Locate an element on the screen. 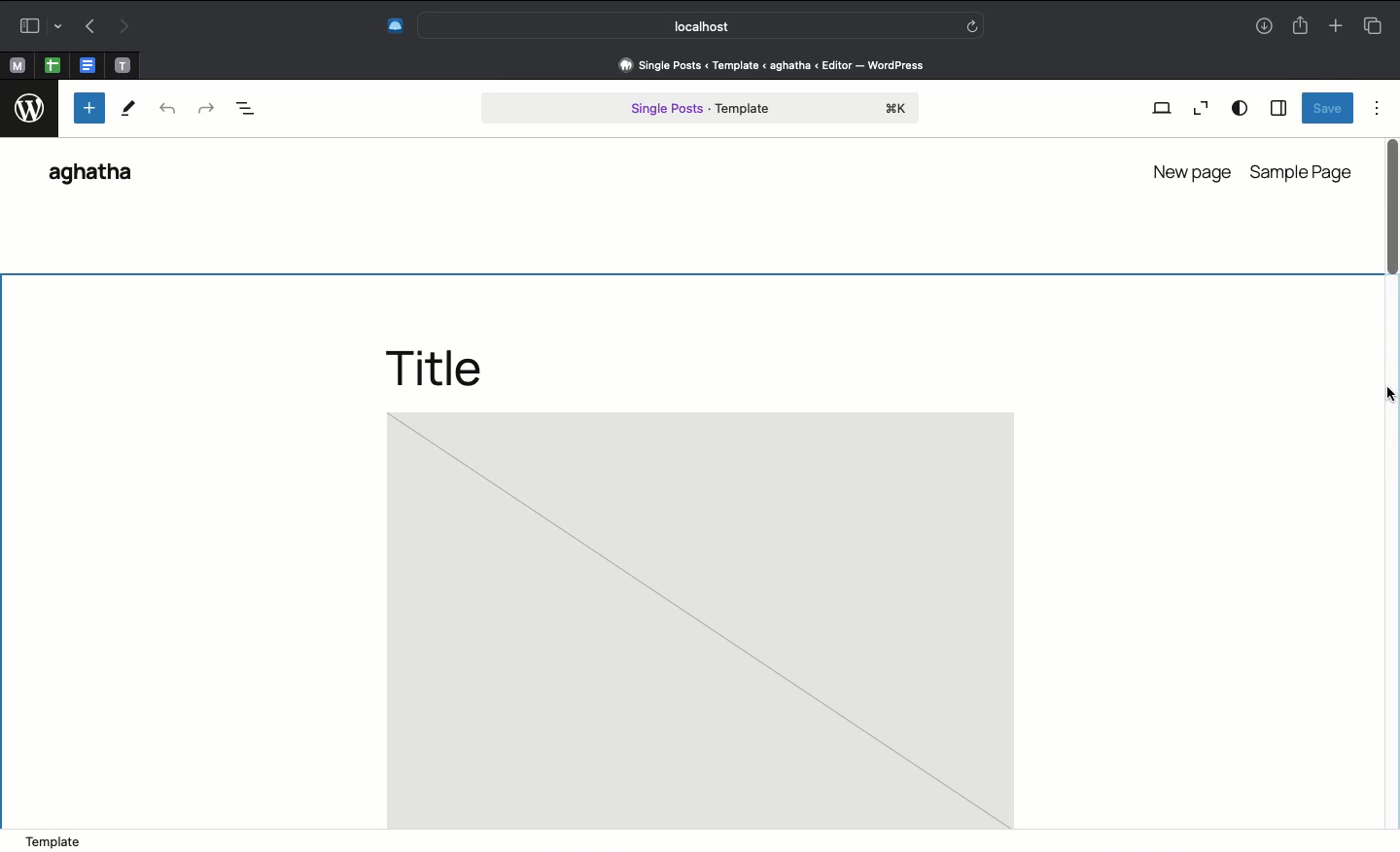  View options is located at coordinates (1240, 107).